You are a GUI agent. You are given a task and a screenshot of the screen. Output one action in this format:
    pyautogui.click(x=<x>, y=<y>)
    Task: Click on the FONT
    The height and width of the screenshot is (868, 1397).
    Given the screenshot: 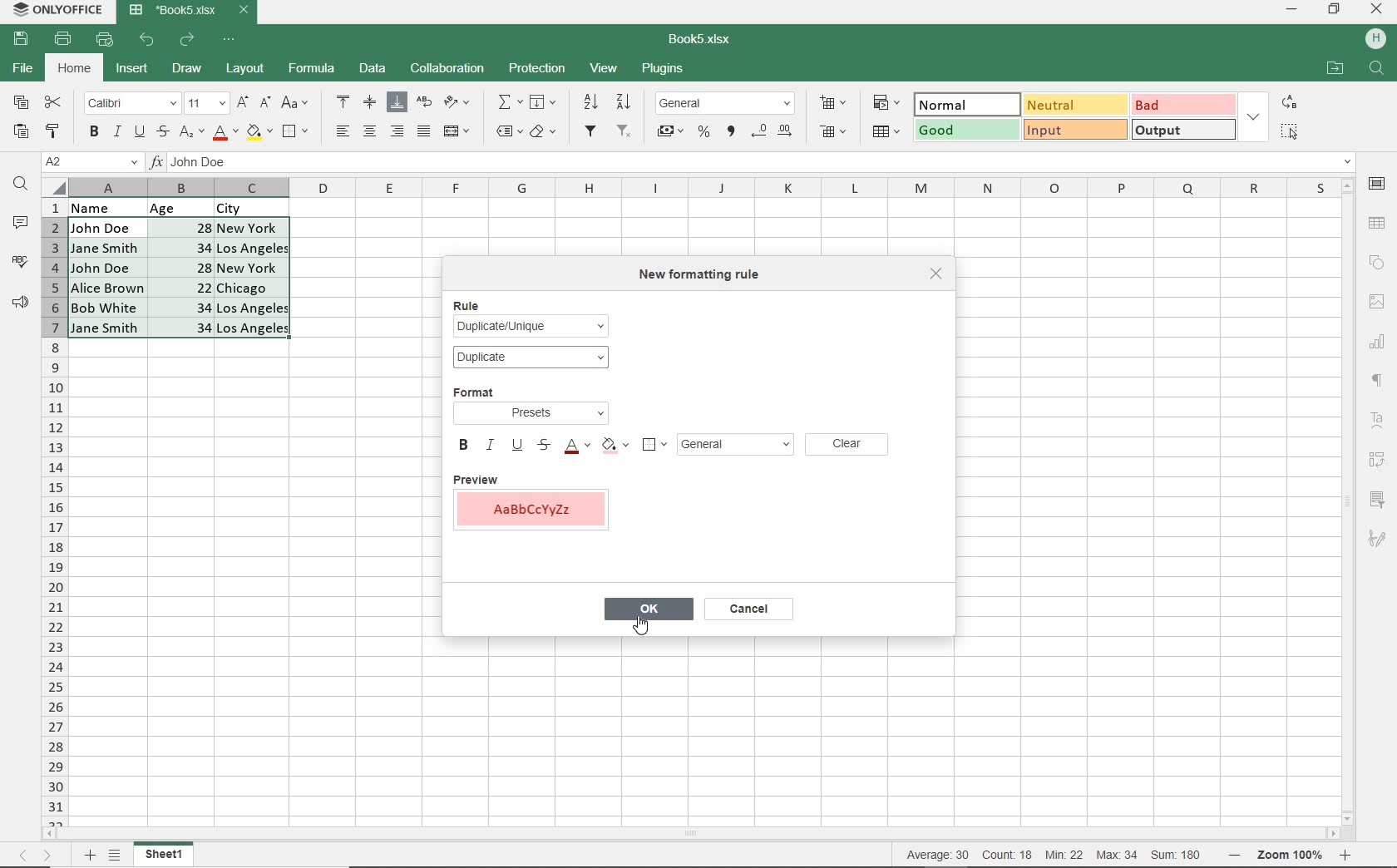 What is the action you would take?
    pyautogui.click(x=575, y=447)
    